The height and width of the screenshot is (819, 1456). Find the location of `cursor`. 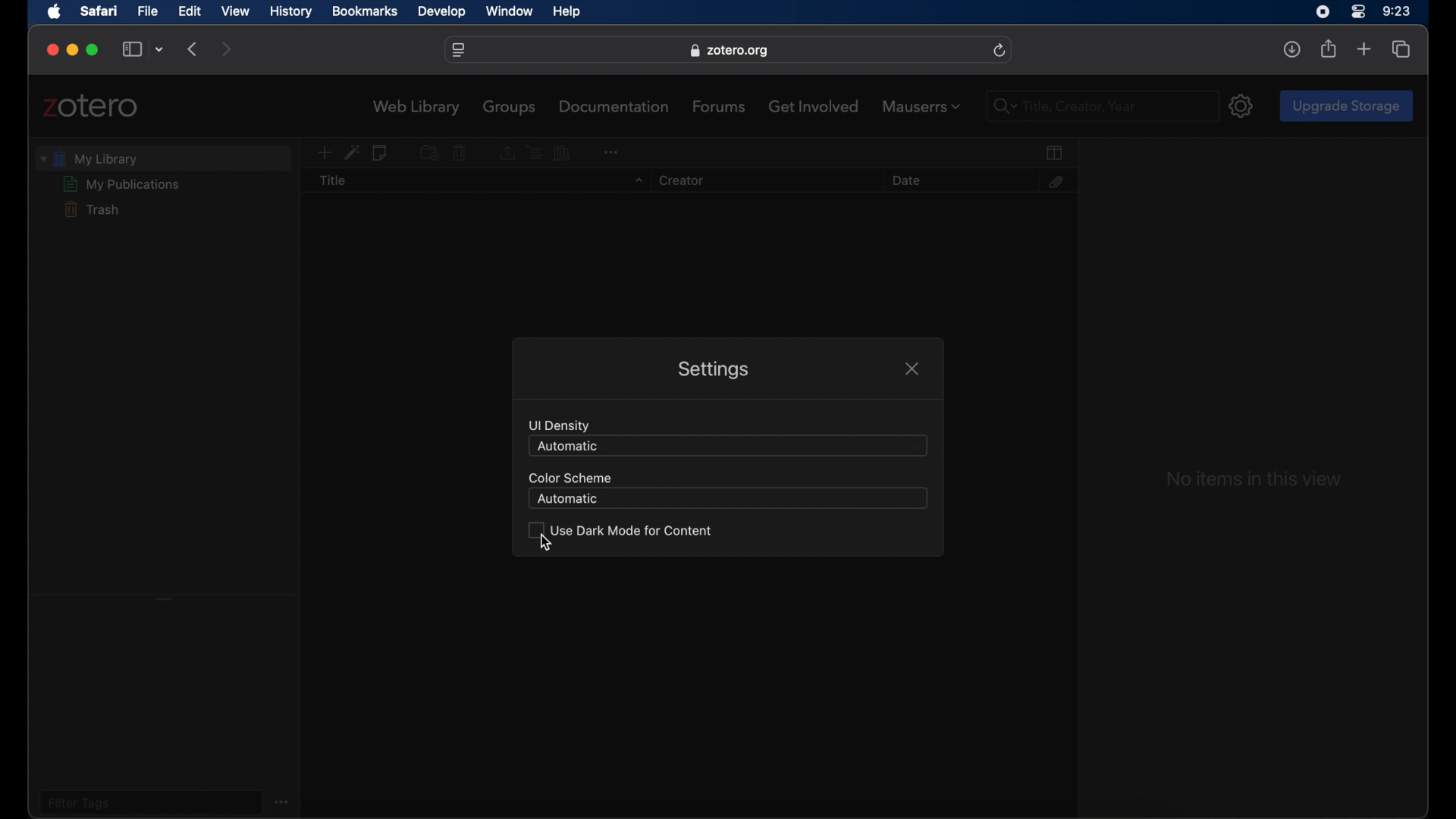

cursor is located at coordinates (547, 543).